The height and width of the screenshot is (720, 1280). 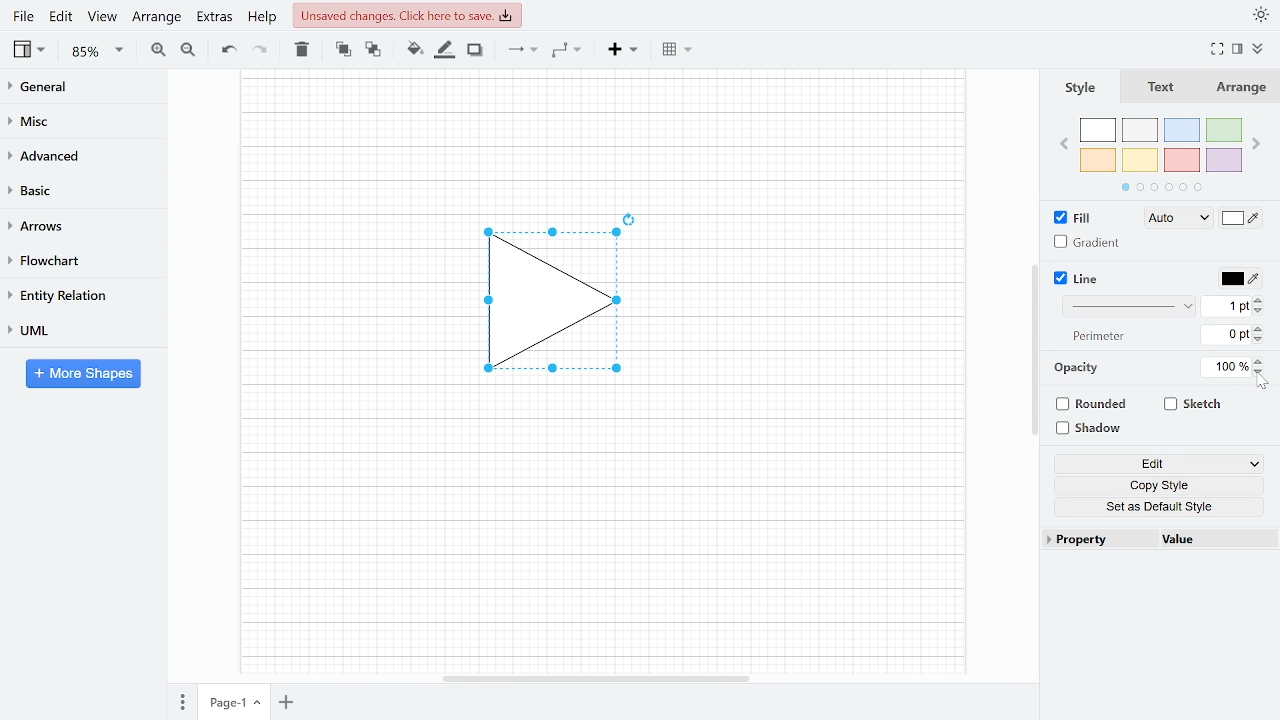 What do you see at coordinates (410, 15) in the screenshot?
I see `Unsaved changes. Click here to save` at bounding box center [410, 15].